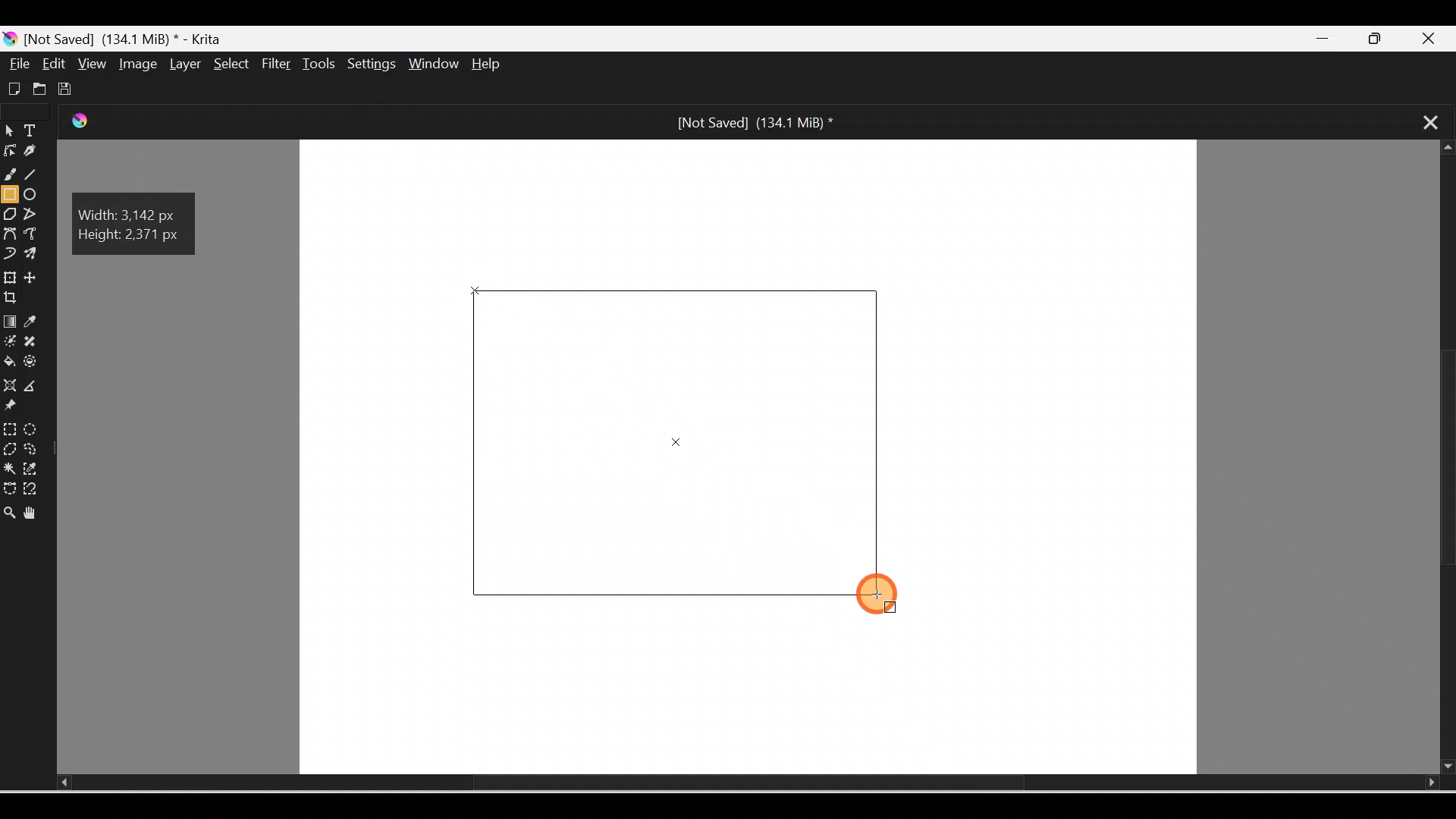 The image size is (1456, 819). Describe the element at coordinates (36, 322) in the screenshot. I see `Sample a color from image/current layer` at that location.